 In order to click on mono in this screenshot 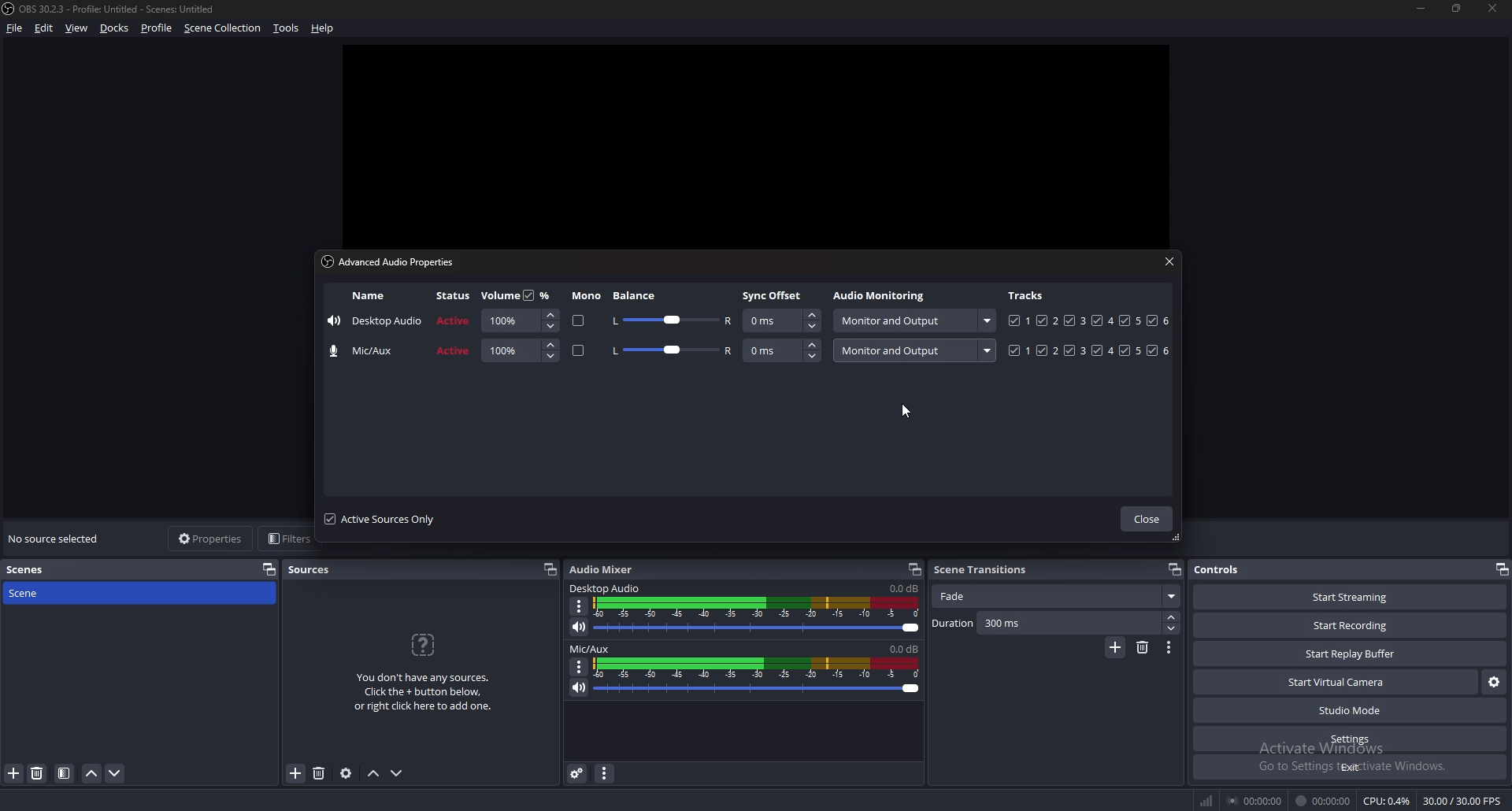, I will do `click(579, 350)`.